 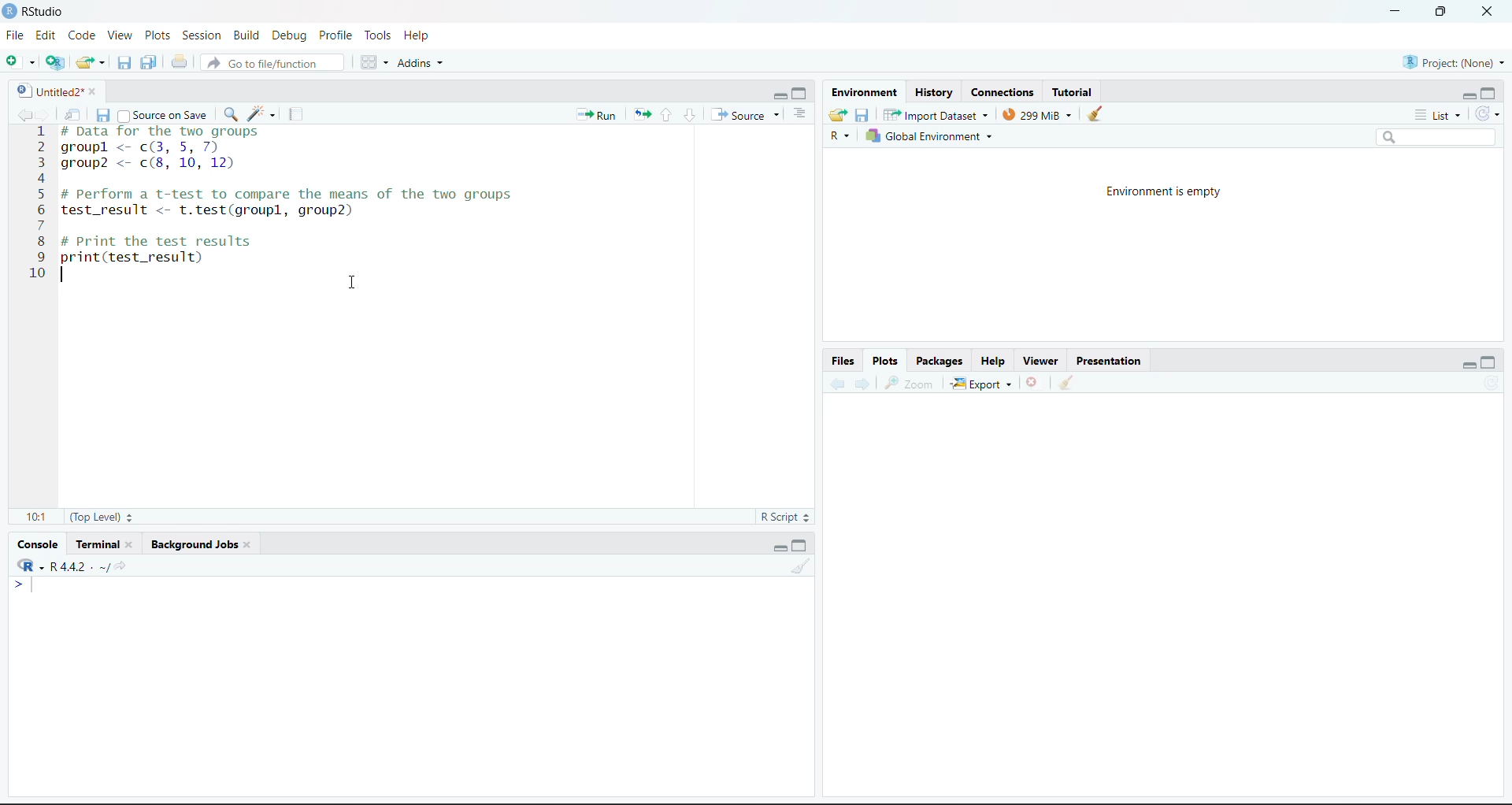 What do you see at coordinates (837, 381) in the screenshot?
I see `previous plot` at bounding box center [837, 381].